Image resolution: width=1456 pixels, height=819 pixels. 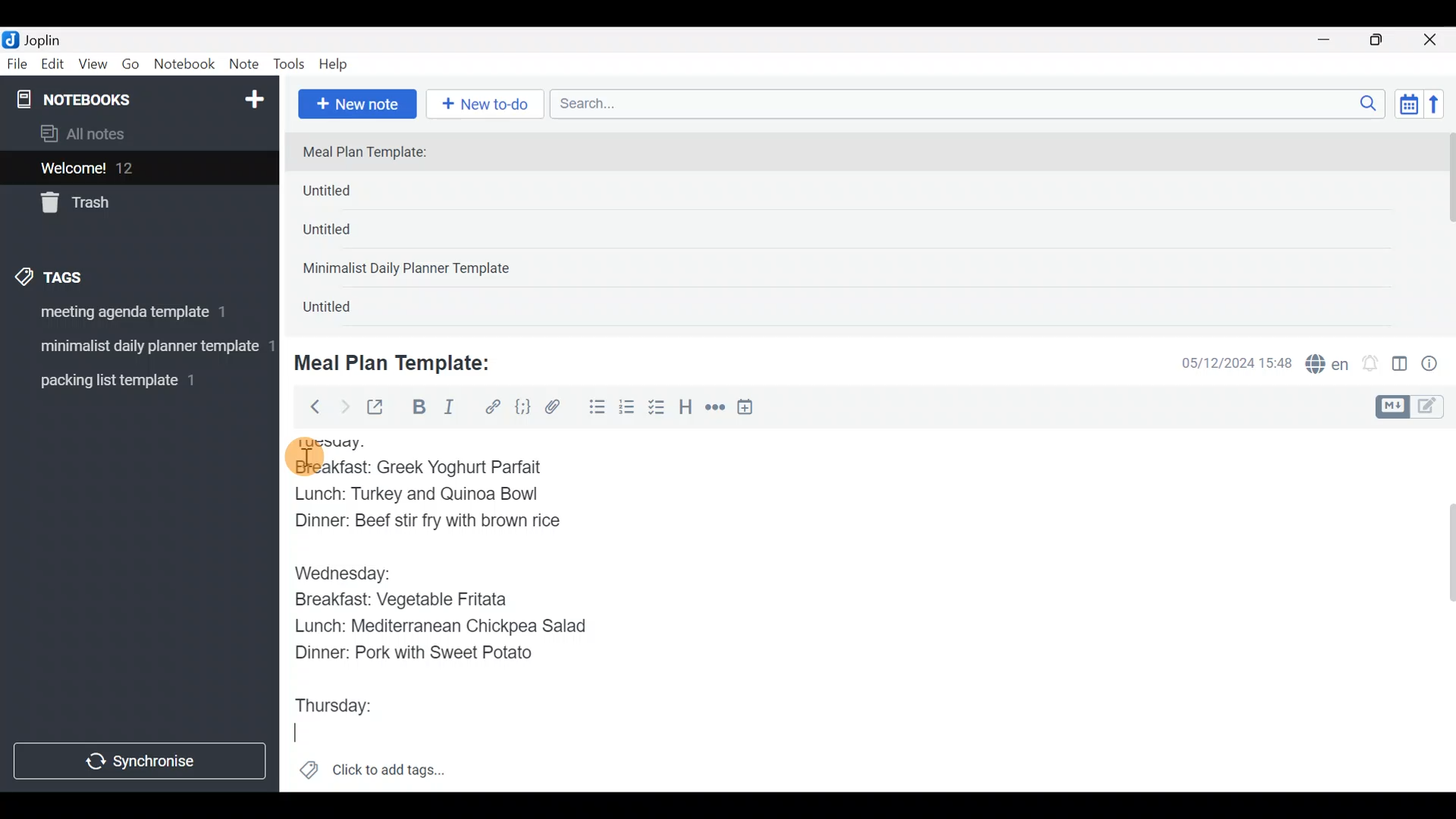 I want to click on Maximize, so click(x=1385, y=40).